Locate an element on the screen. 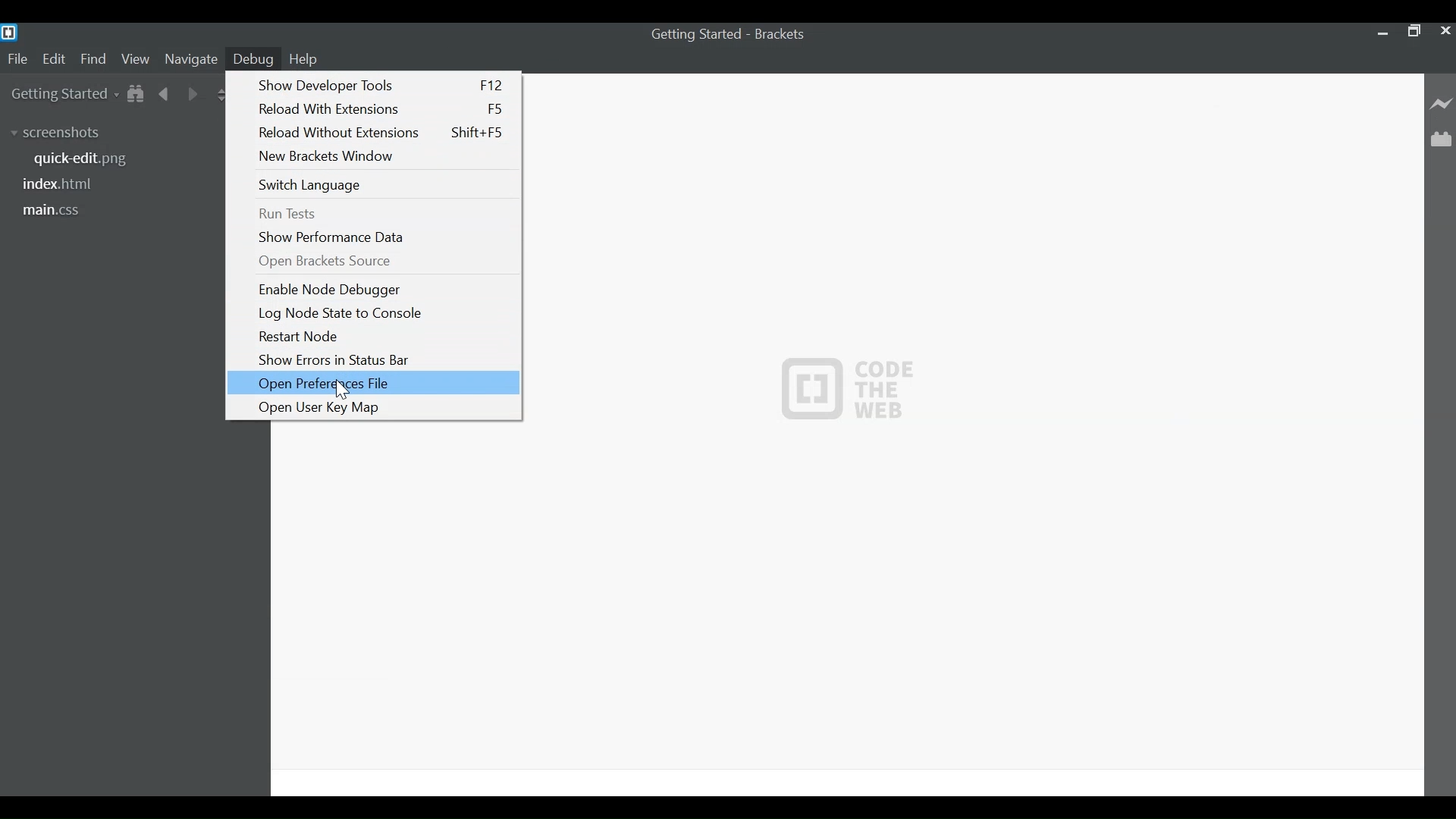  Getting Started is located at coordinates (58, 93).